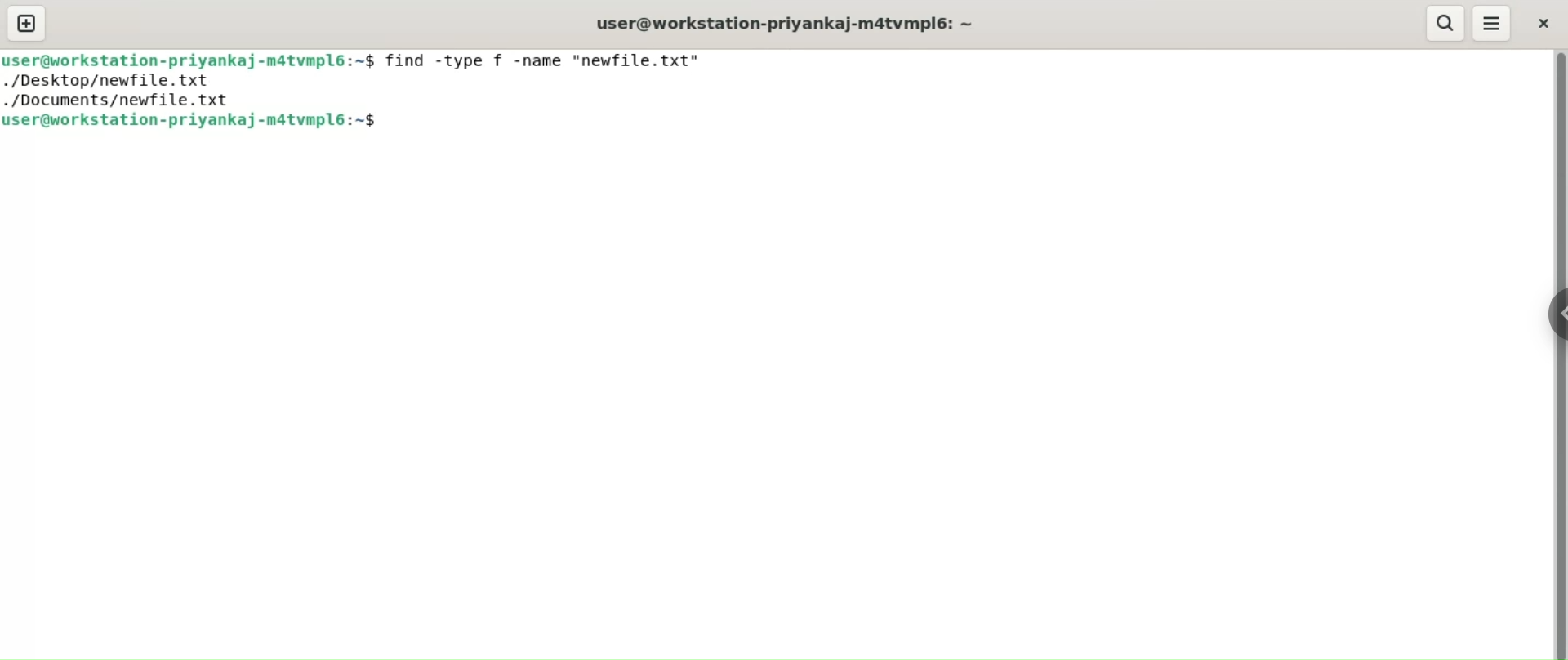 The width and height of the screenshot is (1568, 660). I want to click on menu, so click(1491, 23).